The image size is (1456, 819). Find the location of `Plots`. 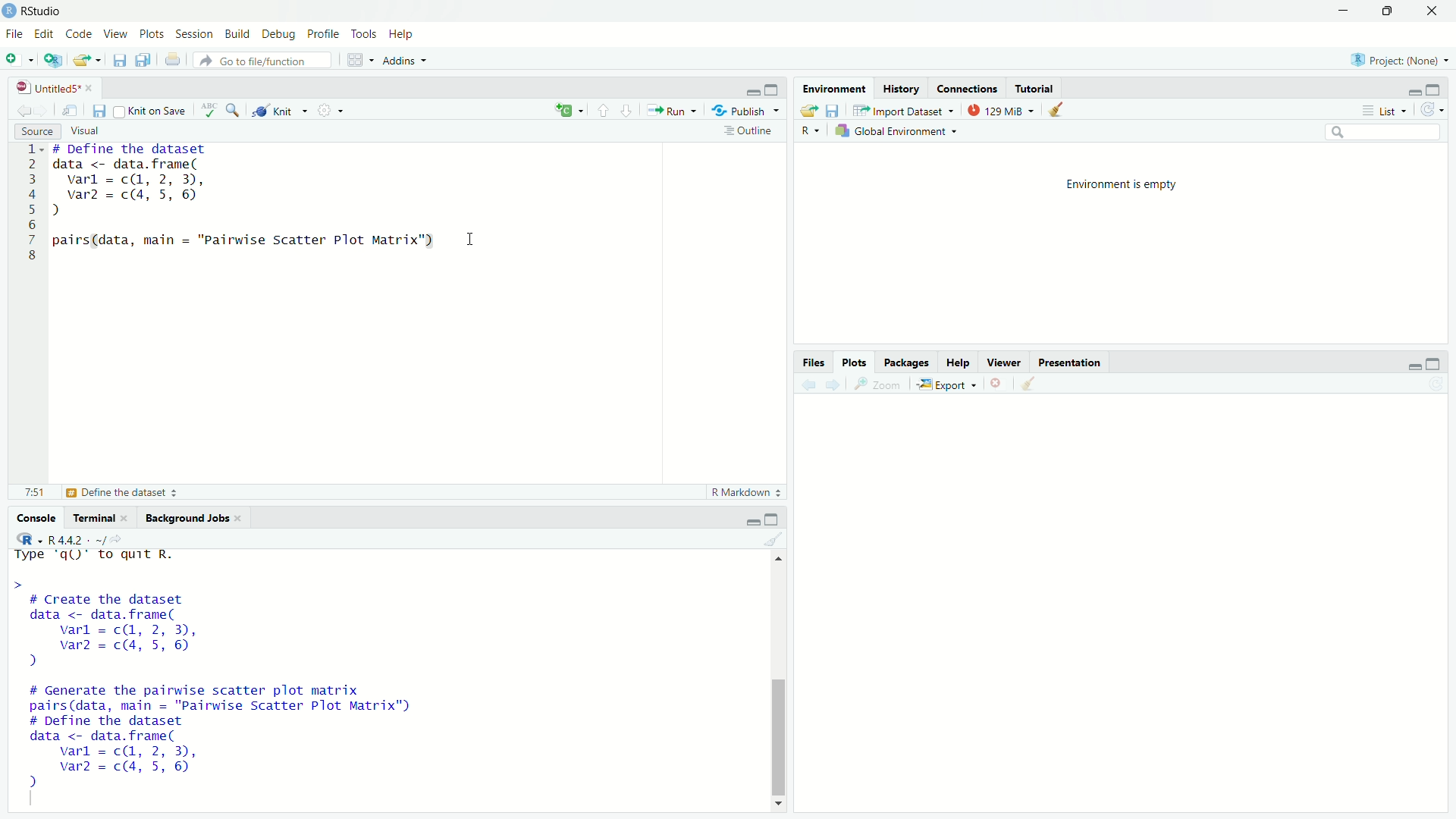

Plots is located at coordinates (855, 362).